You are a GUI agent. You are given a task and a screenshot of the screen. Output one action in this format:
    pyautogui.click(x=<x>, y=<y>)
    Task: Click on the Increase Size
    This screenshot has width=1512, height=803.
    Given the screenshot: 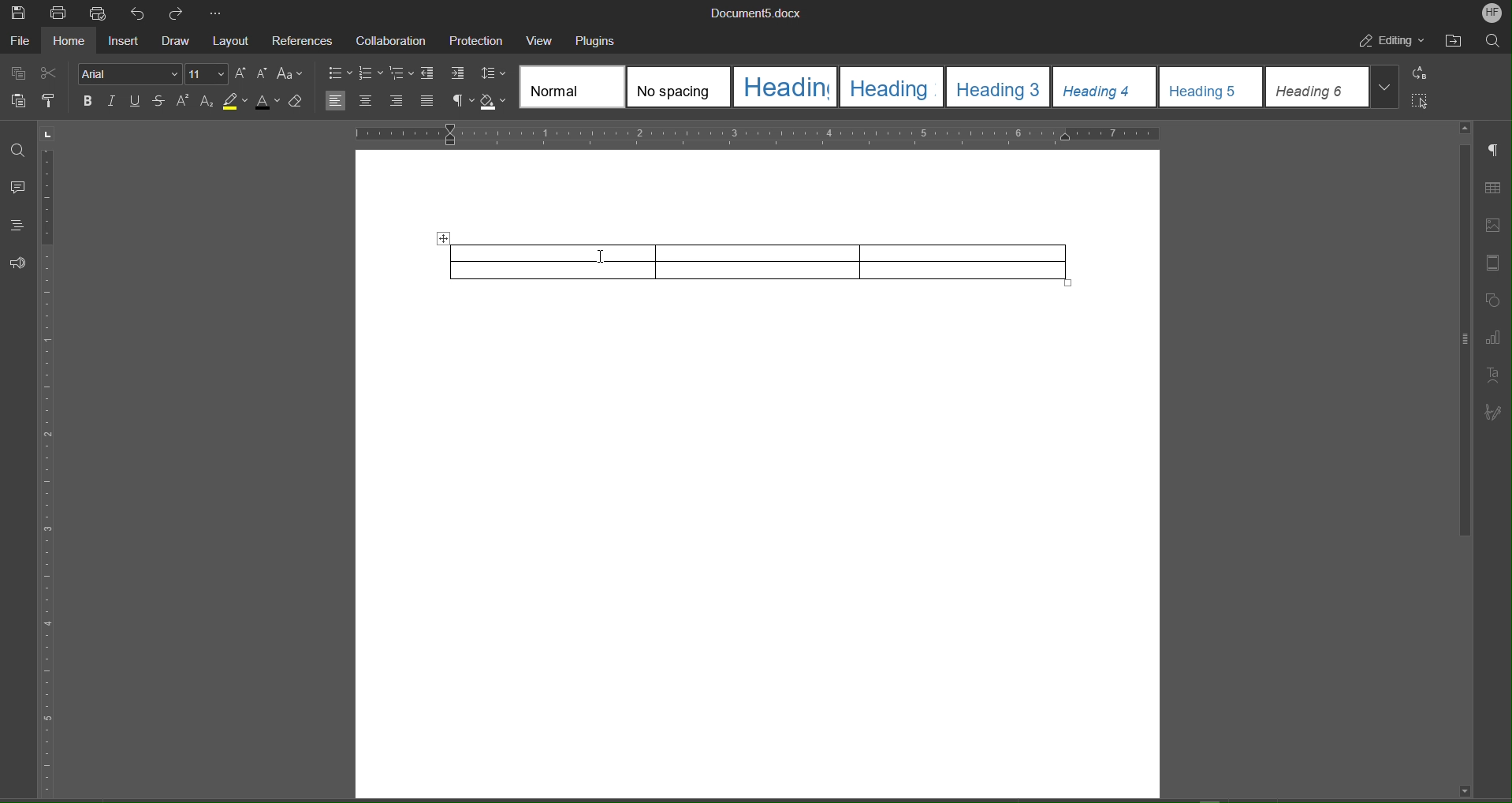 What is the action you would take?
    pyautogui.click(x=240, y=74)
    